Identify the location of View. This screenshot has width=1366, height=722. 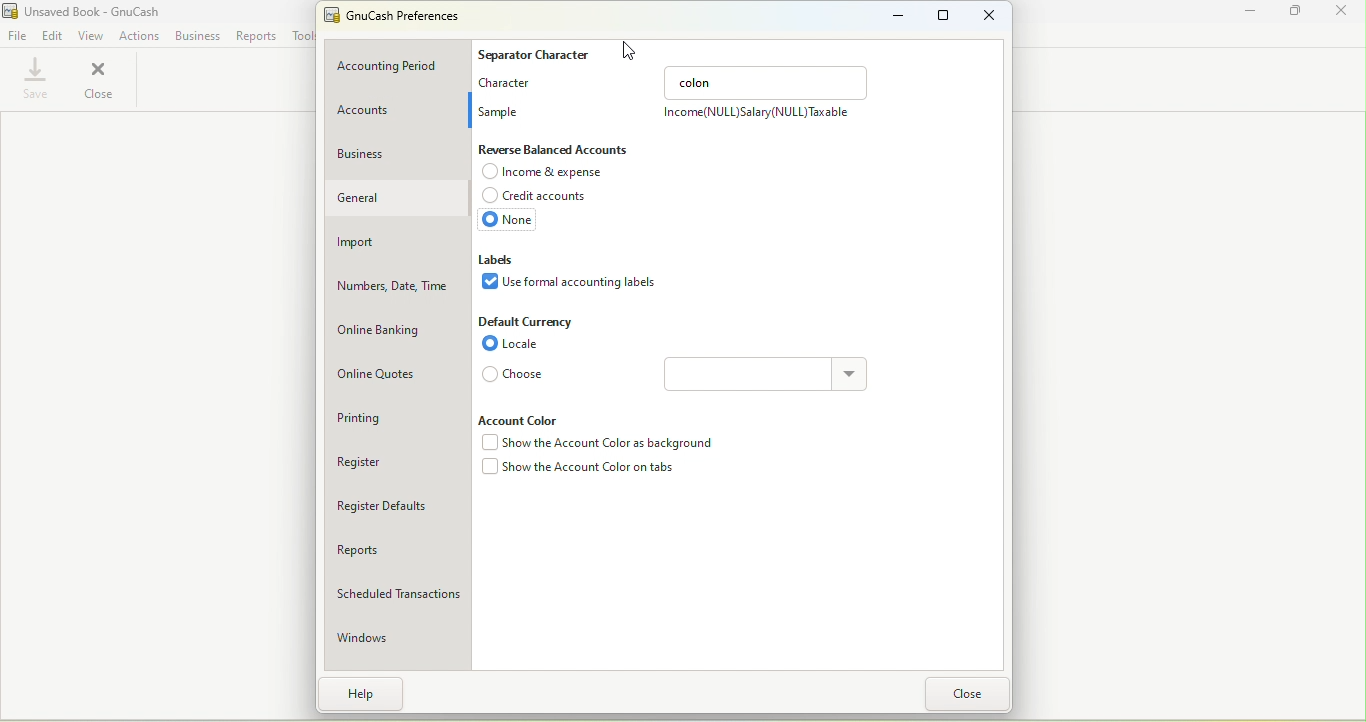
(92, 34).